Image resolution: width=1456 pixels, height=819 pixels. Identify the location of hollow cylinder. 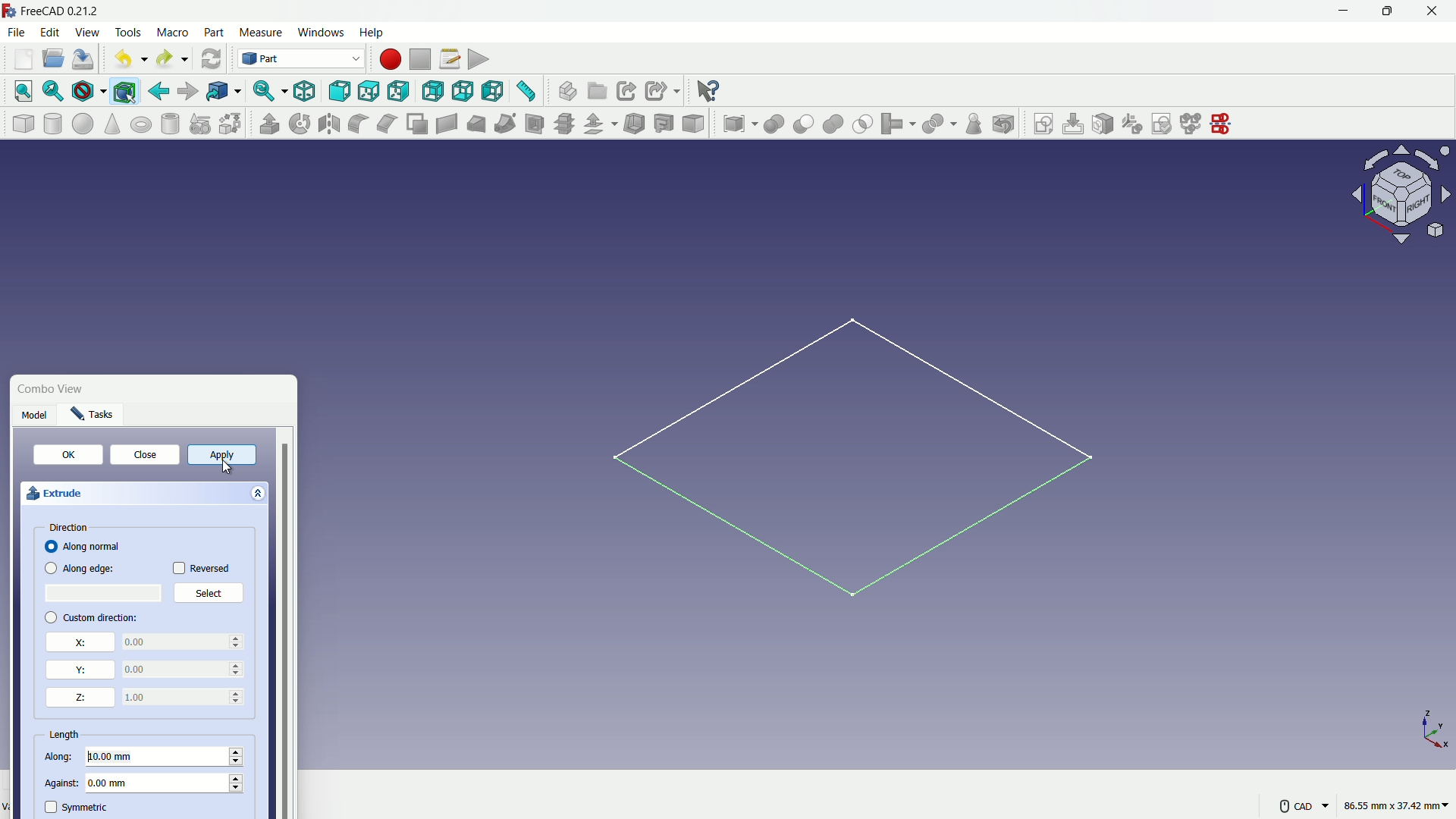
(171, 124).